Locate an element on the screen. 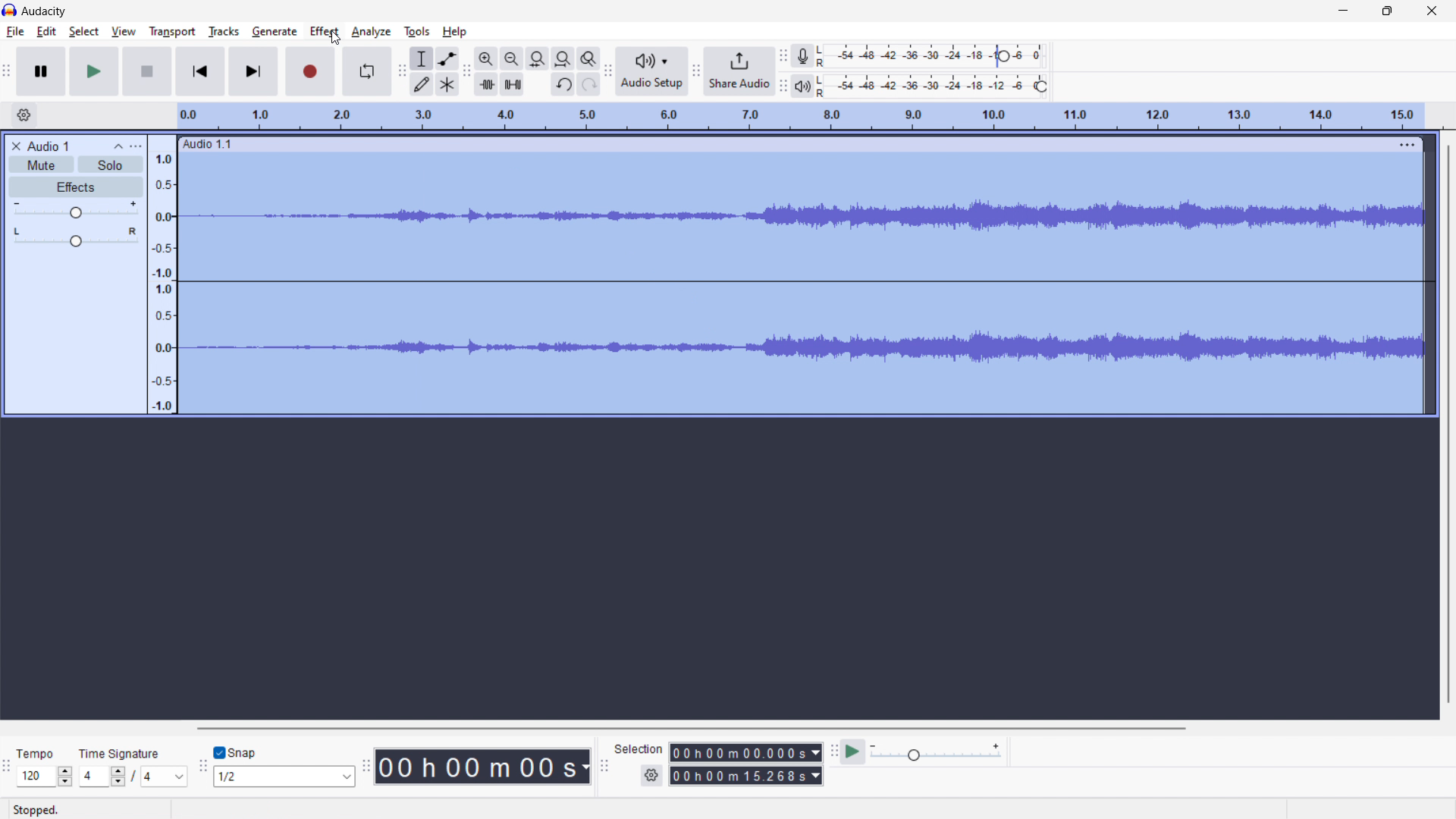  time toolbar is located at coordinates (366, 764).